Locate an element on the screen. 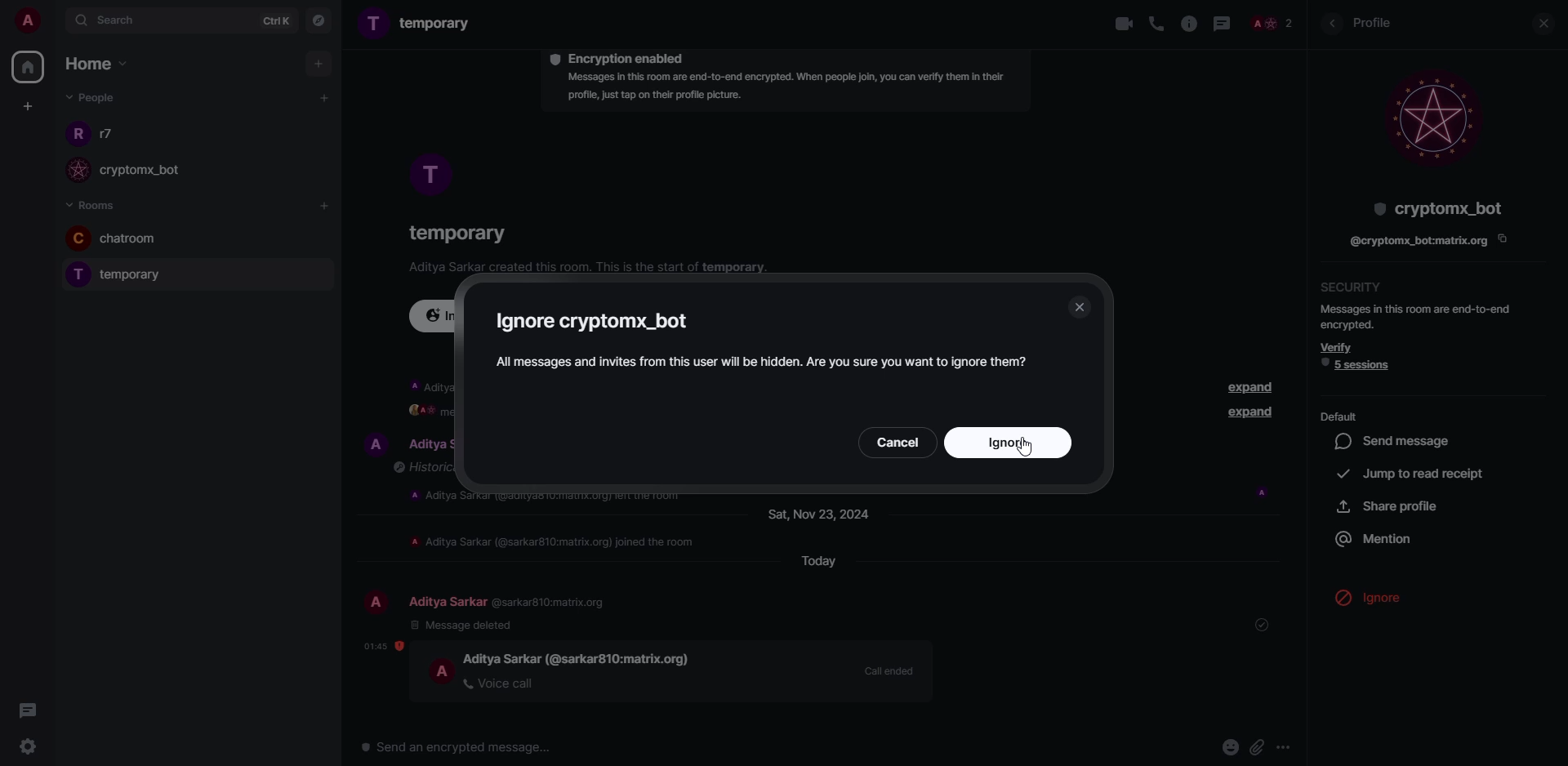 The image size is (1568, 766). ignore is located at coordinates (1389, 597).